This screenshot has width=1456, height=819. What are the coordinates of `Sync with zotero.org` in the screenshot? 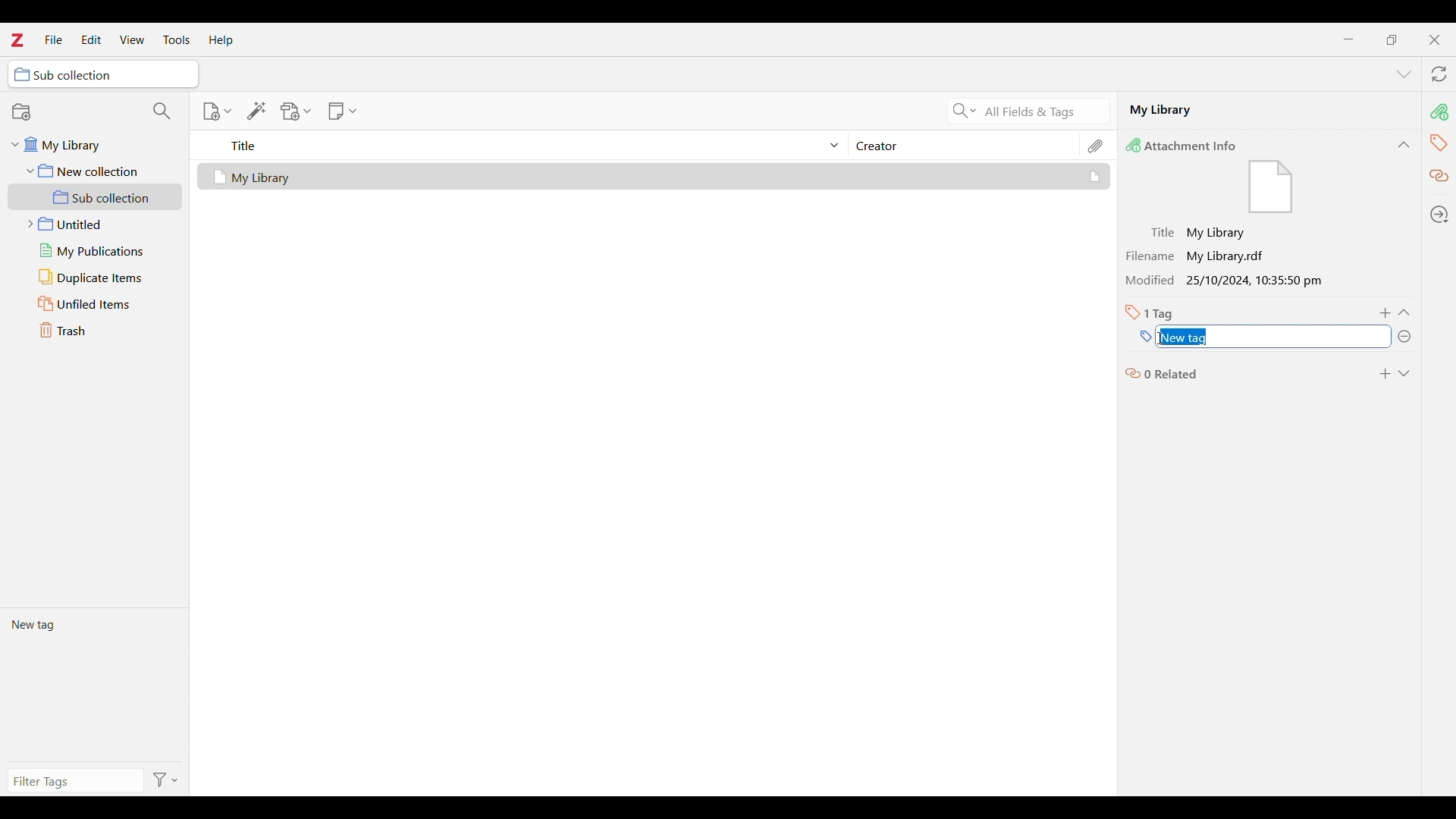 It's located at (1439, 74).